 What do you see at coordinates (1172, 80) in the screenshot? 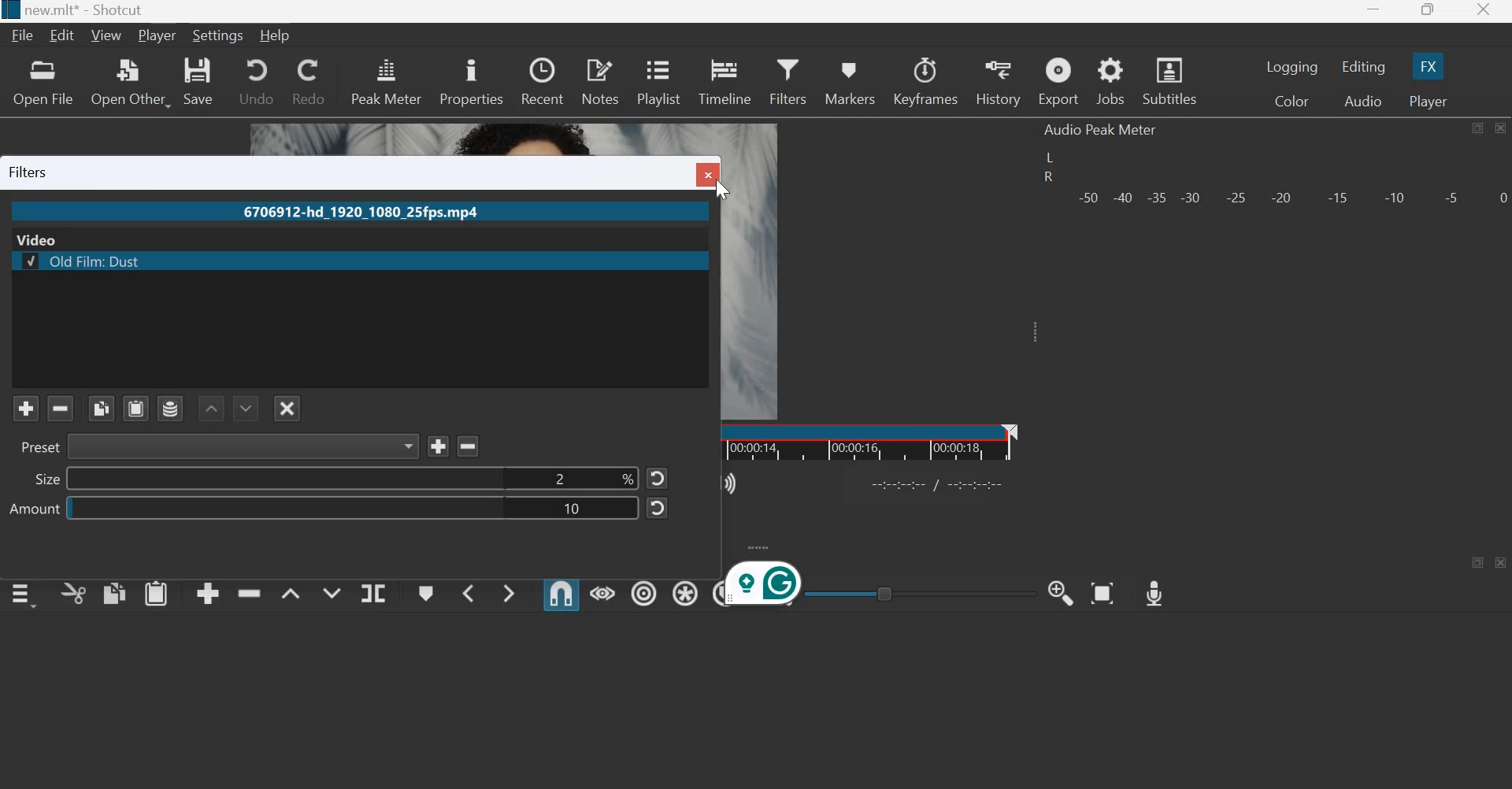
I see `Subtitles` at bounding box center [1172, 80].